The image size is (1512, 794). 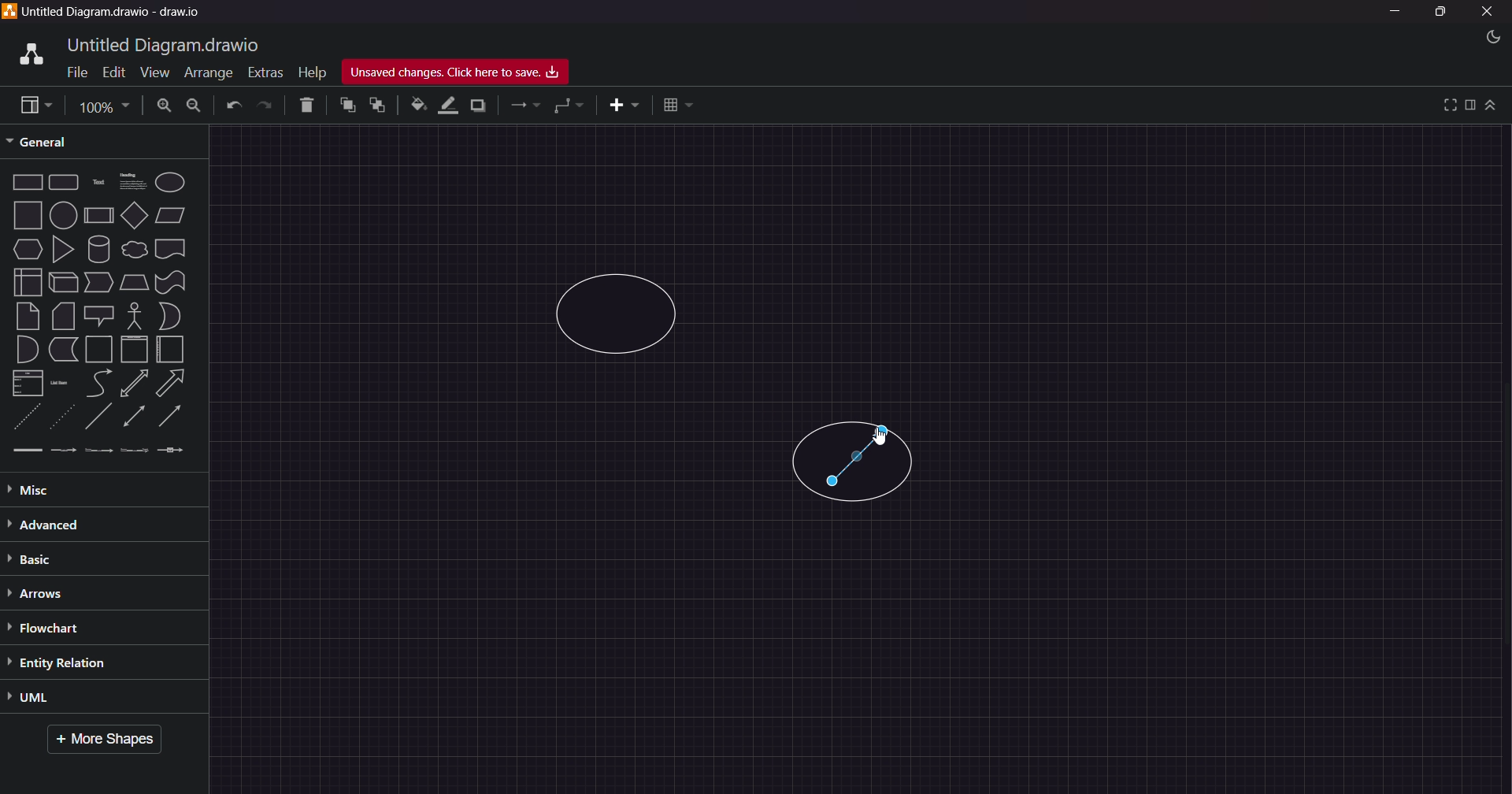 I want to click on View, so click(x=148, y=72).